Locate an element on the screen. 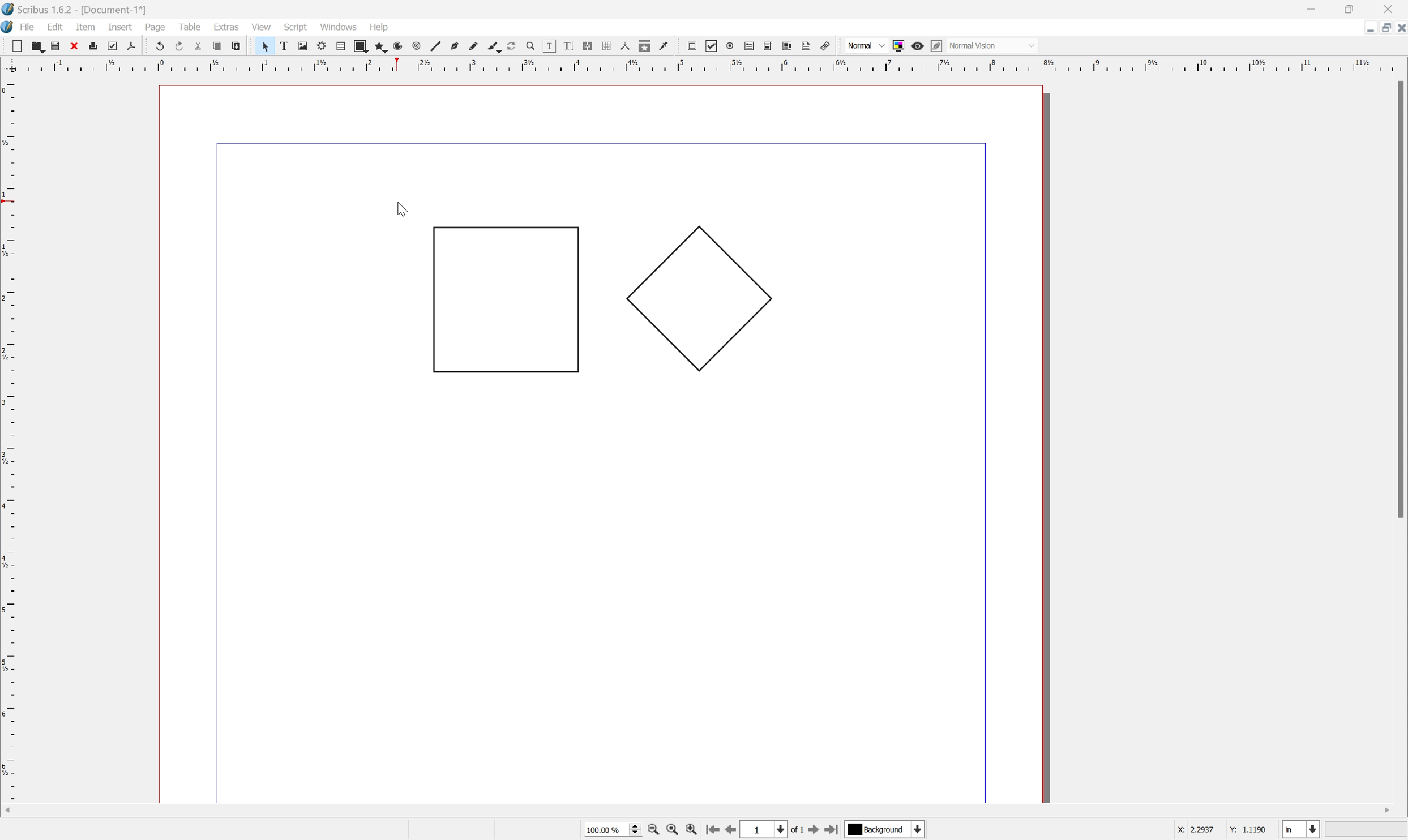 The height and width of the screenshot is (840, 1408). Scroll Bar is located at coordinates (1399, 299).